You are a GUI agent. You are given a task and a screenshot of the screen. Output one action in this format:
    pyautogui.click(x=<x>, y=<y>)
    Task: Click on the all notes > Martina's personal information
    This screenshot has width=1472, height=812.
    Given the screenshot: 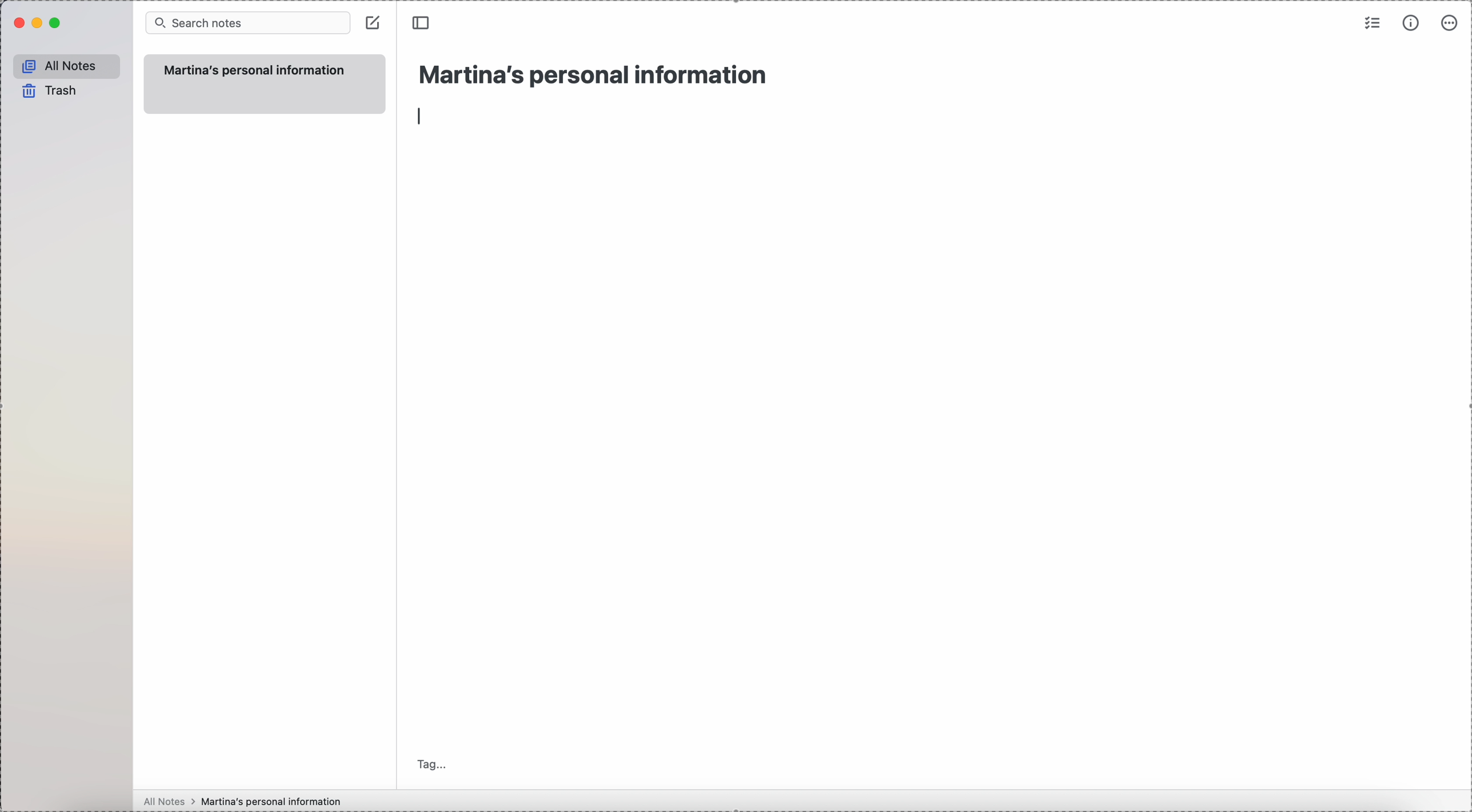 What is the action you would take?
    pyautogui.click(x=238, y=800)
    